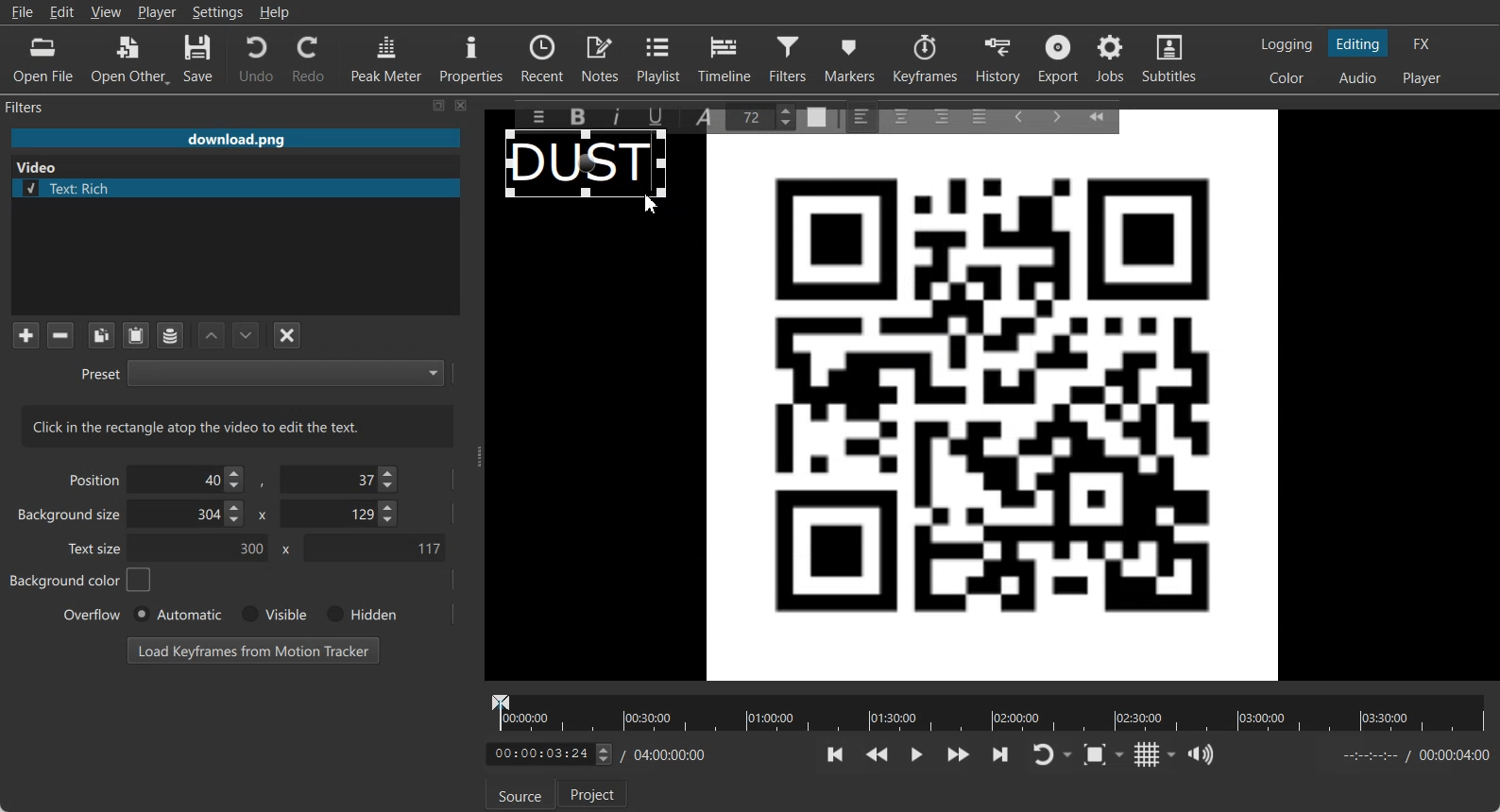 Image resolution: width=1500 pixels, height=812 pixels. Describe the element at coordinates (1148, 754) in the screenshot. I see `Toggle grid display on the player` at that location.